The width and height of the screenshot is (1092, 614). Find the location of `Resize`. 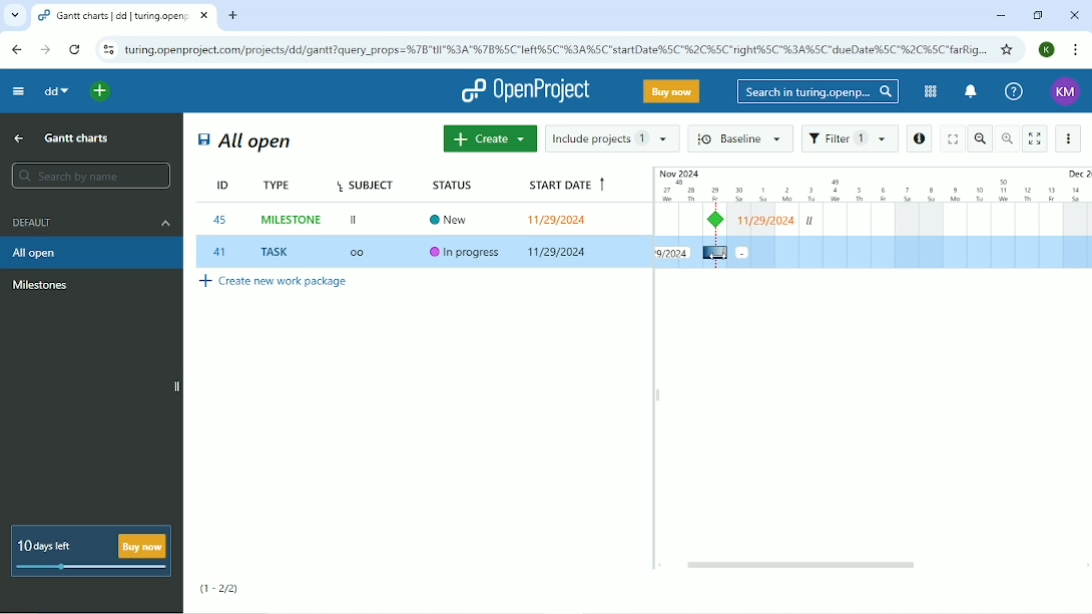

Resize is located at coordinates (658, 395).